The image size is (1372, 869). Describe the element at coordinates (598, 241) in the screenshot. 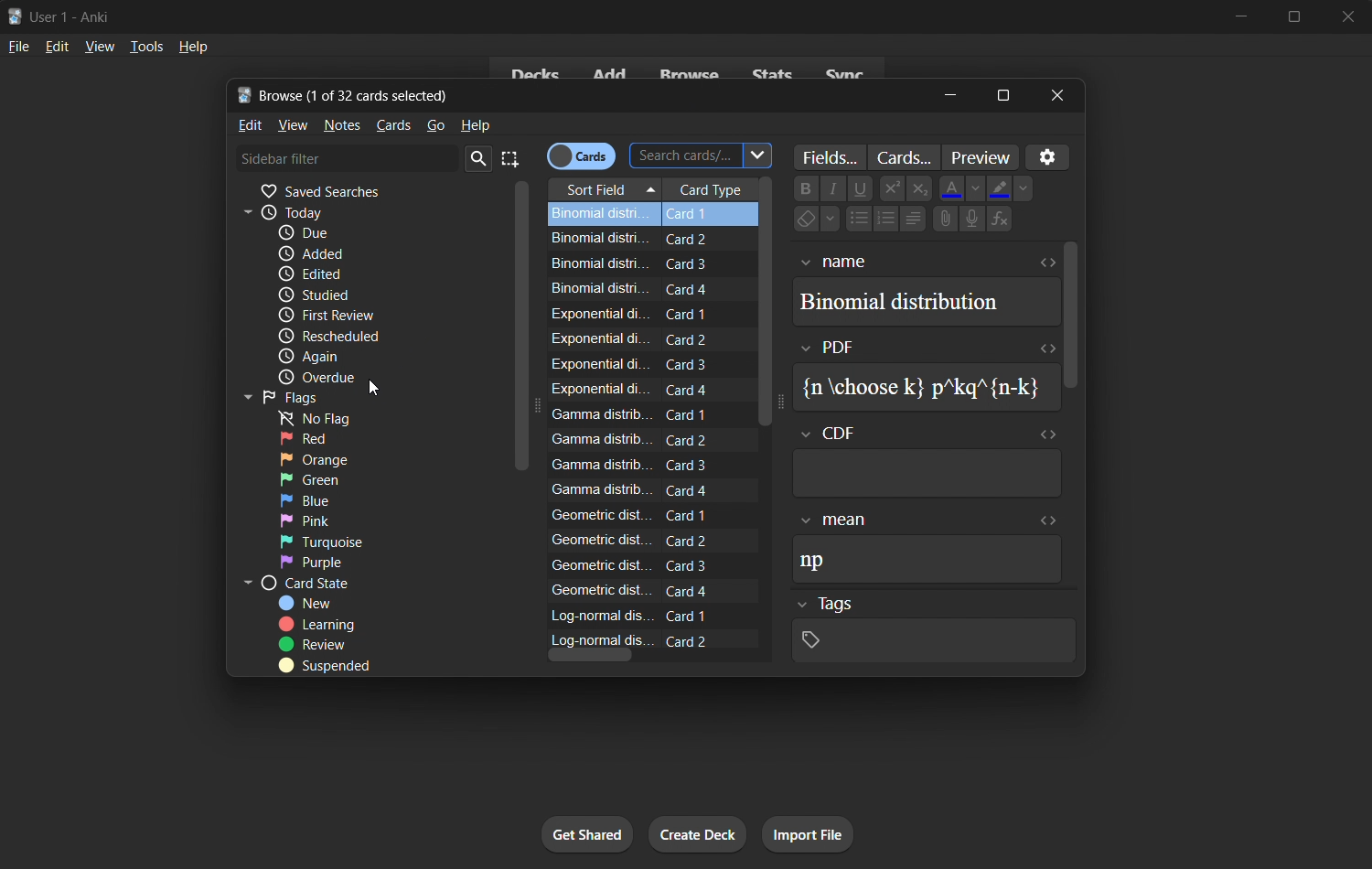

I see `Binomial distri` at that location.